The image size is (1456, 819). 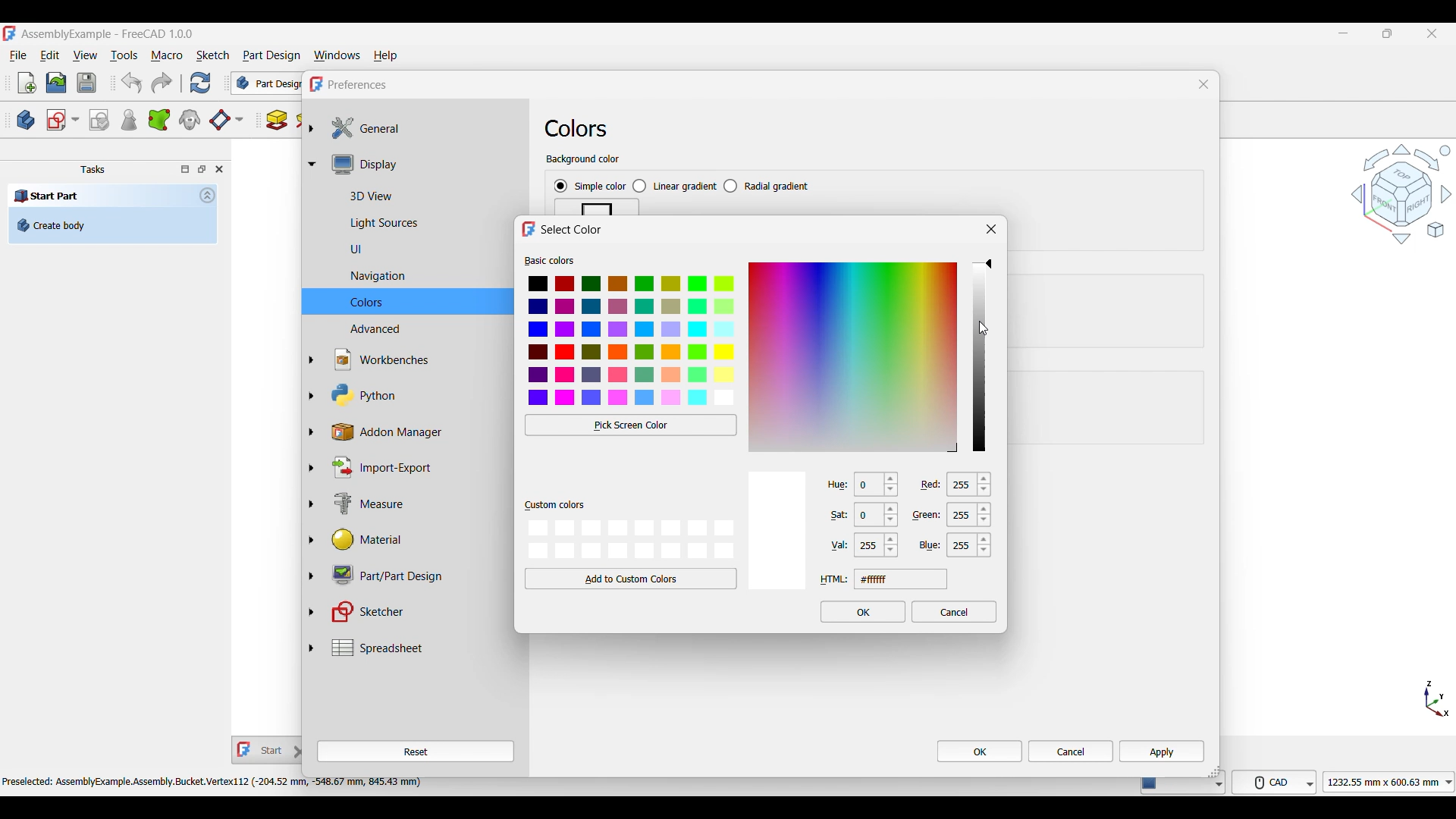 What do you see at coordinates (271, 55) in the screenshot?
I see `Part design` at bounding box center [271, 55].